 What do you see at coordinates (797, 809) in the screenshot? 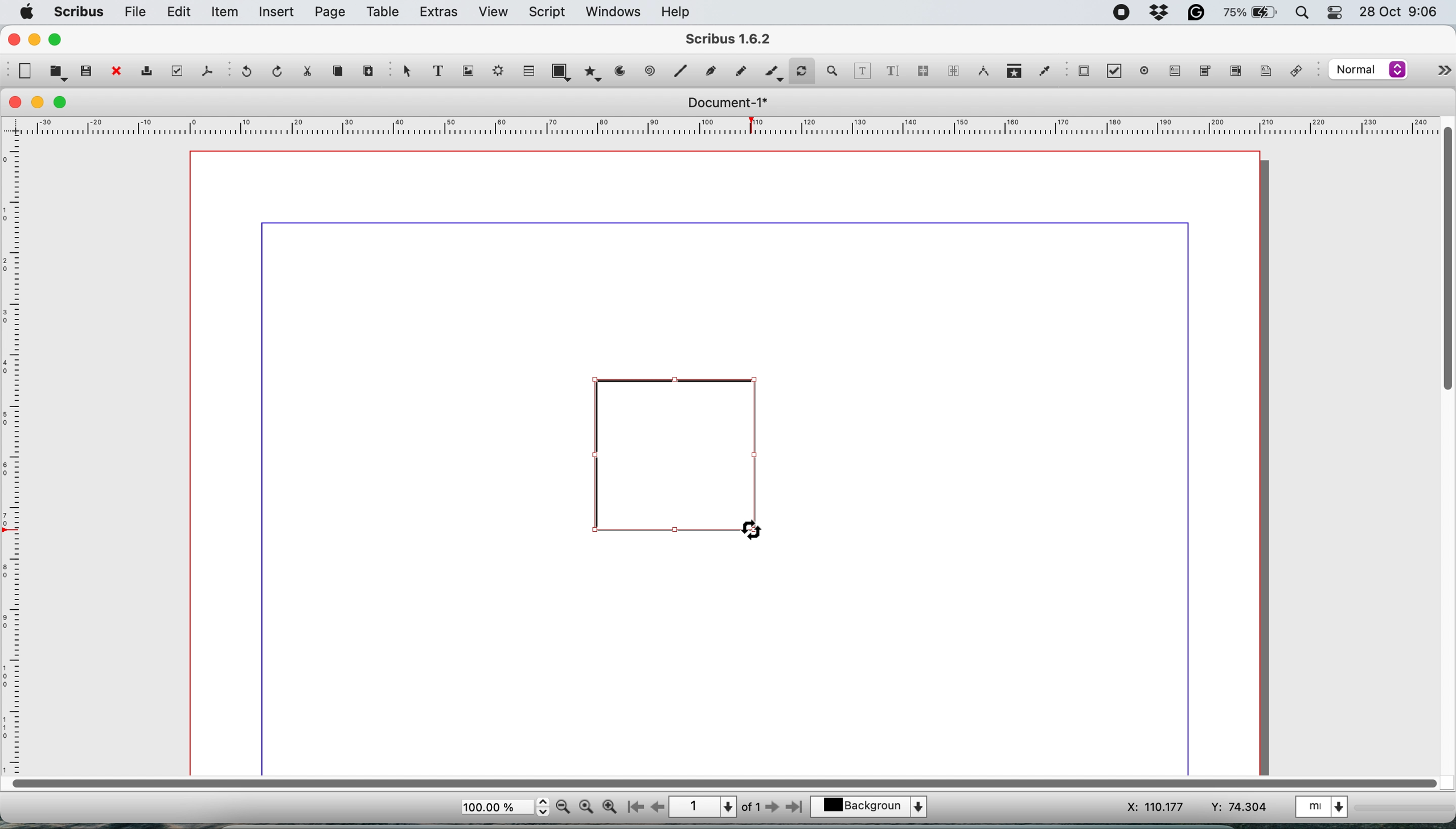
I see `go to last page` at bounding box center [797, 809].